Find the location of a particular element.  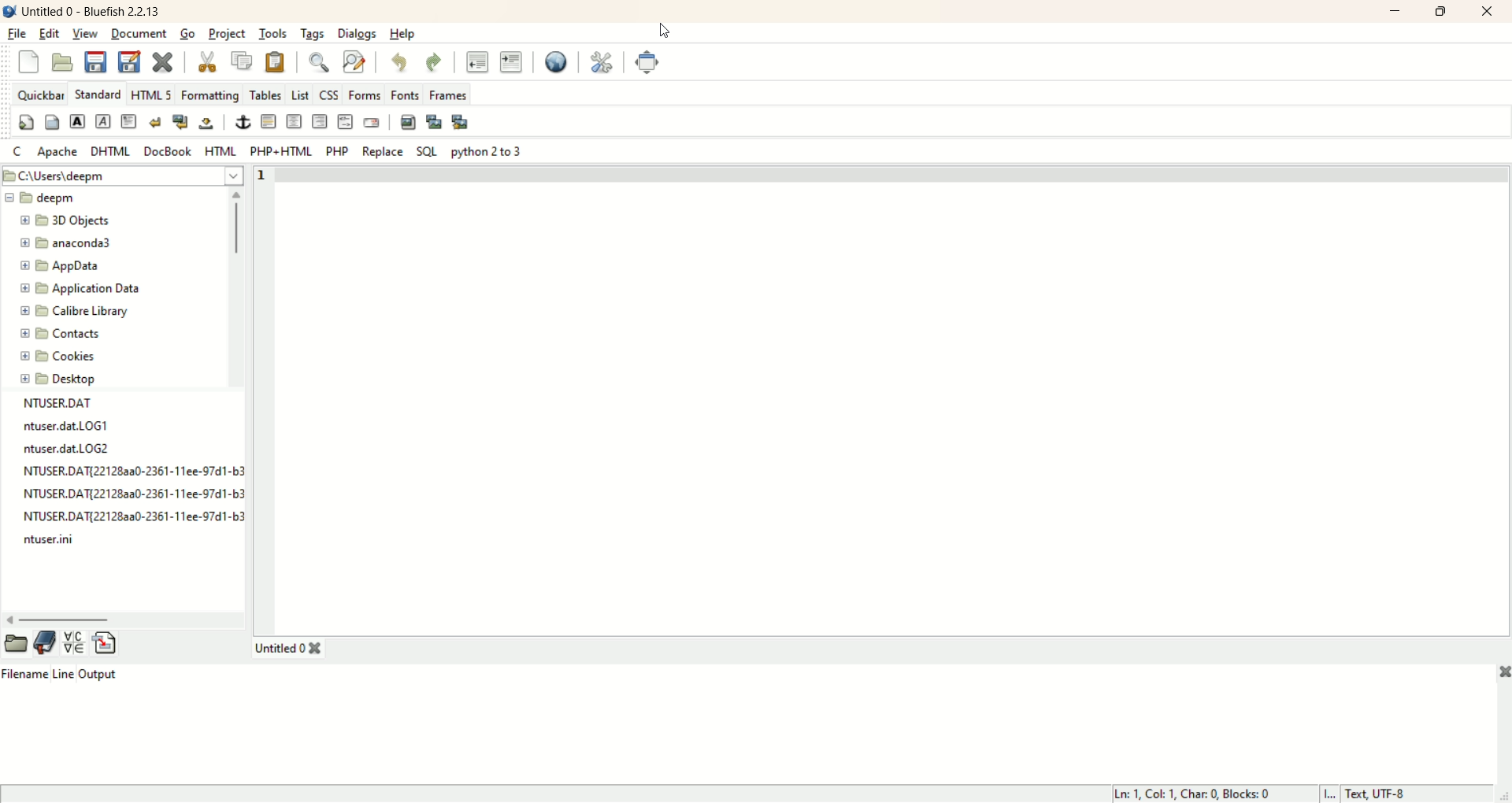

docbook is located at coordinates (169, 150).